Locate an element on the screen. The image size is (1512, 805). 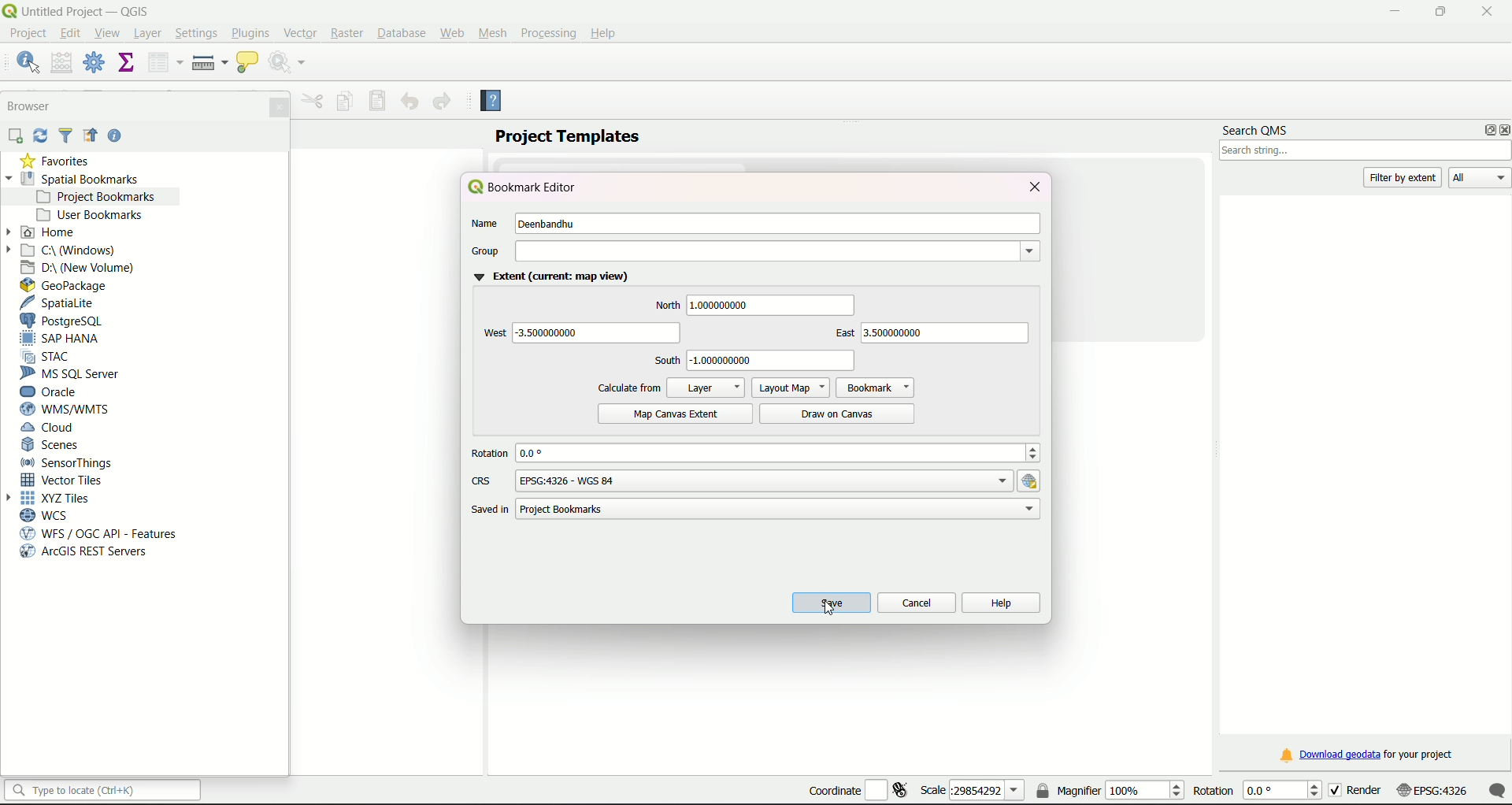
calculate from is located at coordinates (627, 388).